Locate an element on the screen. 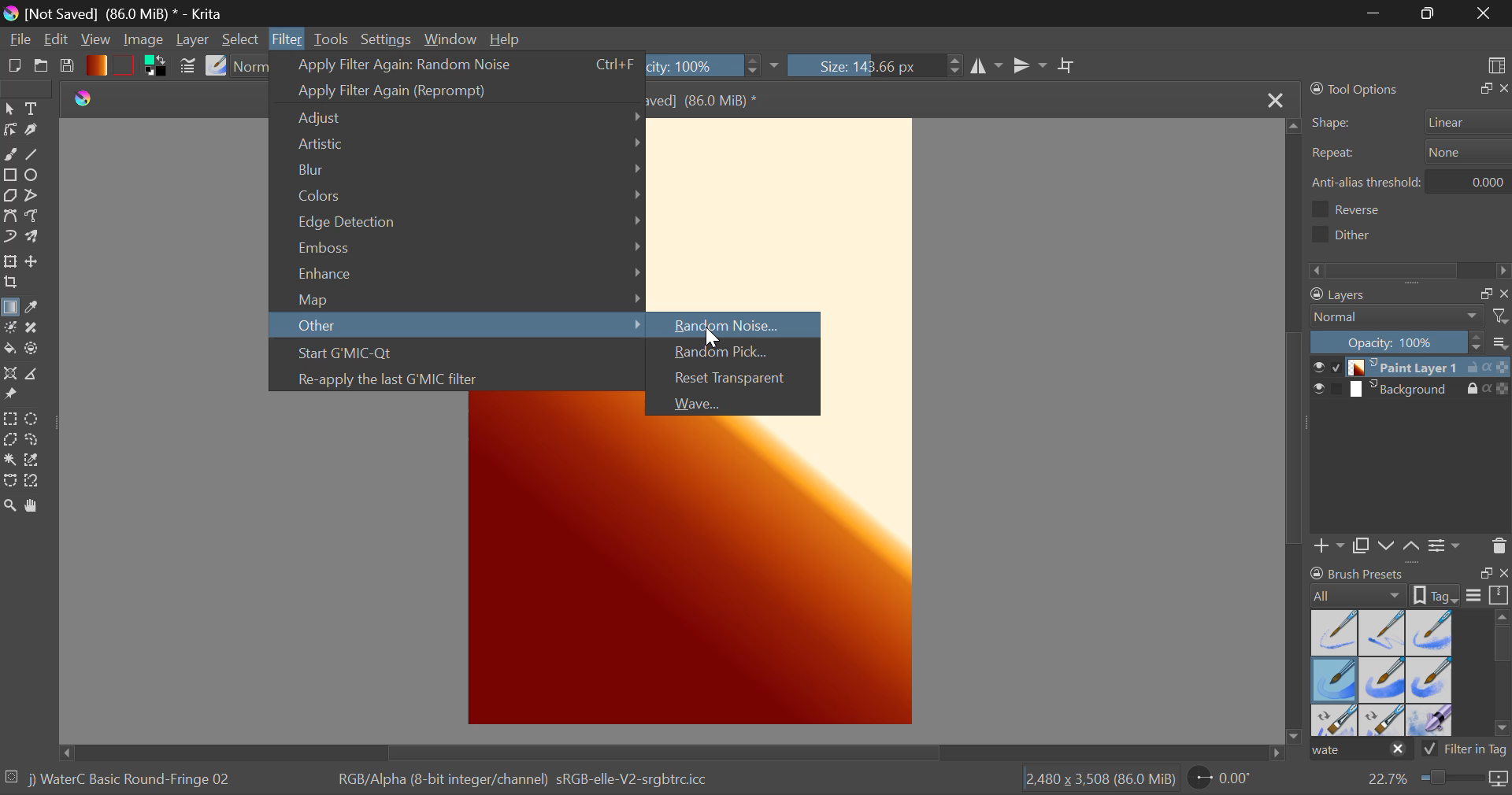 The width and height of the screenshot is (1512, 795). Page Rotation is located at coordinates (1228, 782).